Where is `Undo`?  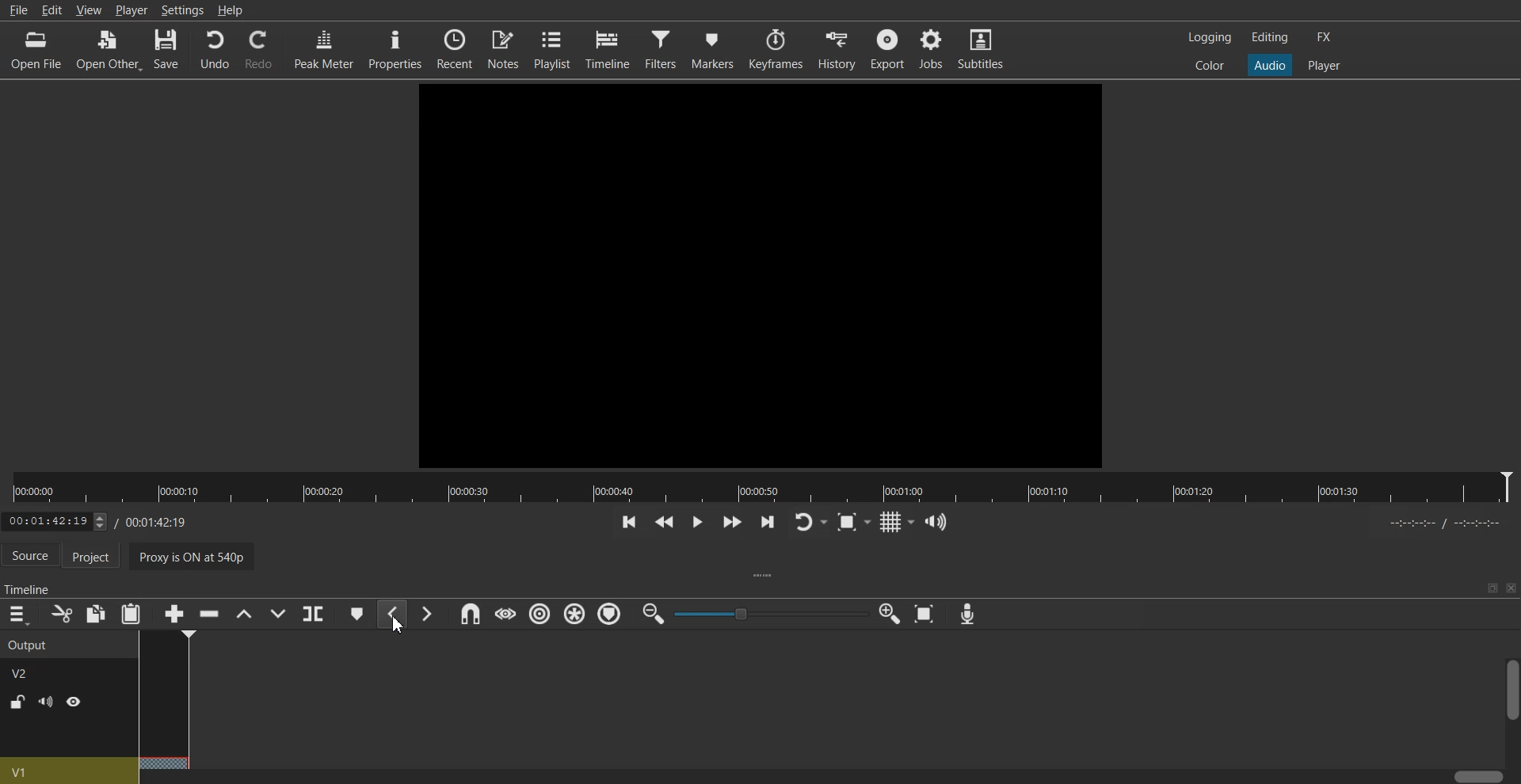
Undo is located at coordinates (214, 50).